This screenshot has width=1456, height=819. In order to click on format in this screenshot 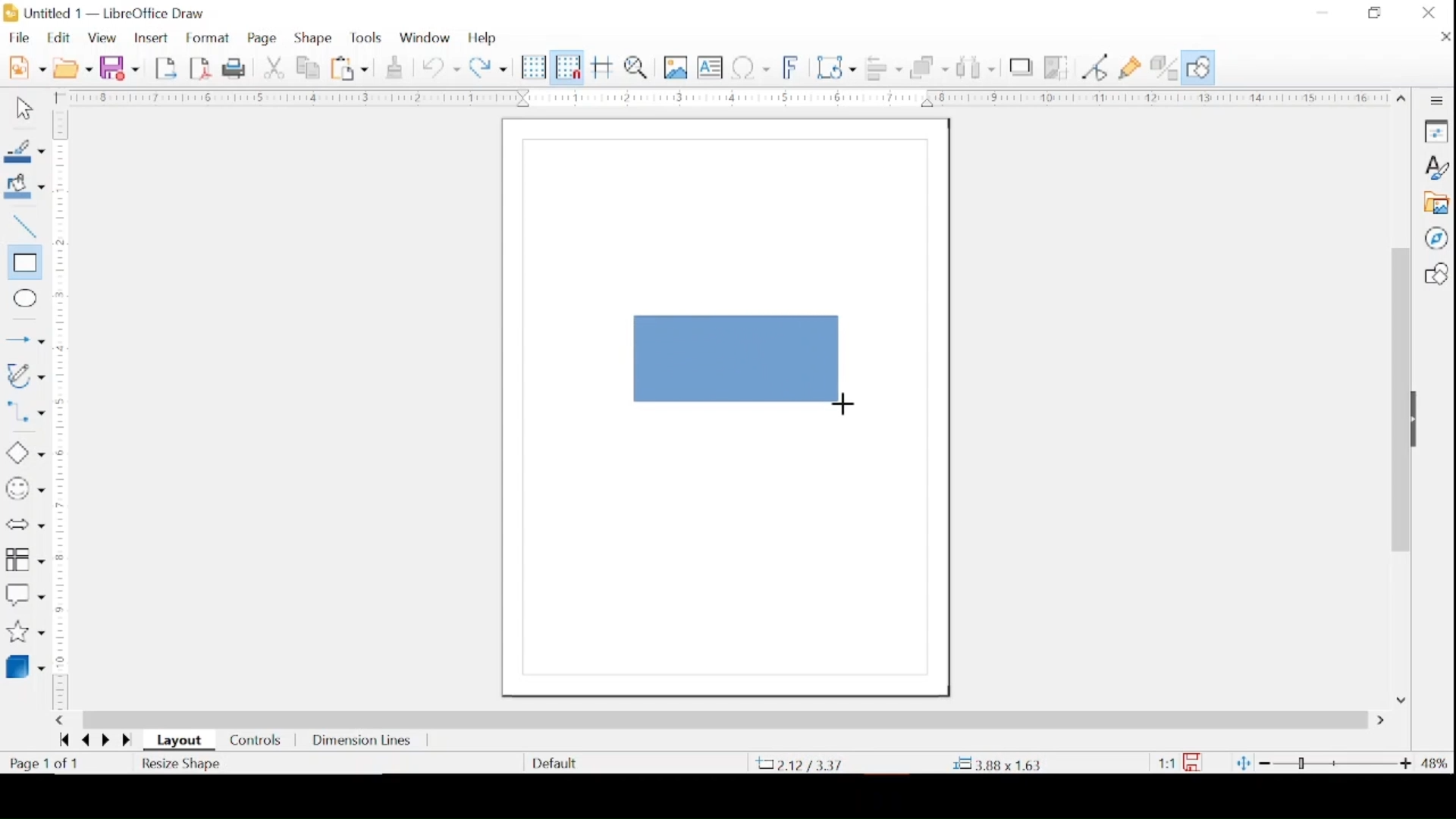, I will do `click(209, 39)`.